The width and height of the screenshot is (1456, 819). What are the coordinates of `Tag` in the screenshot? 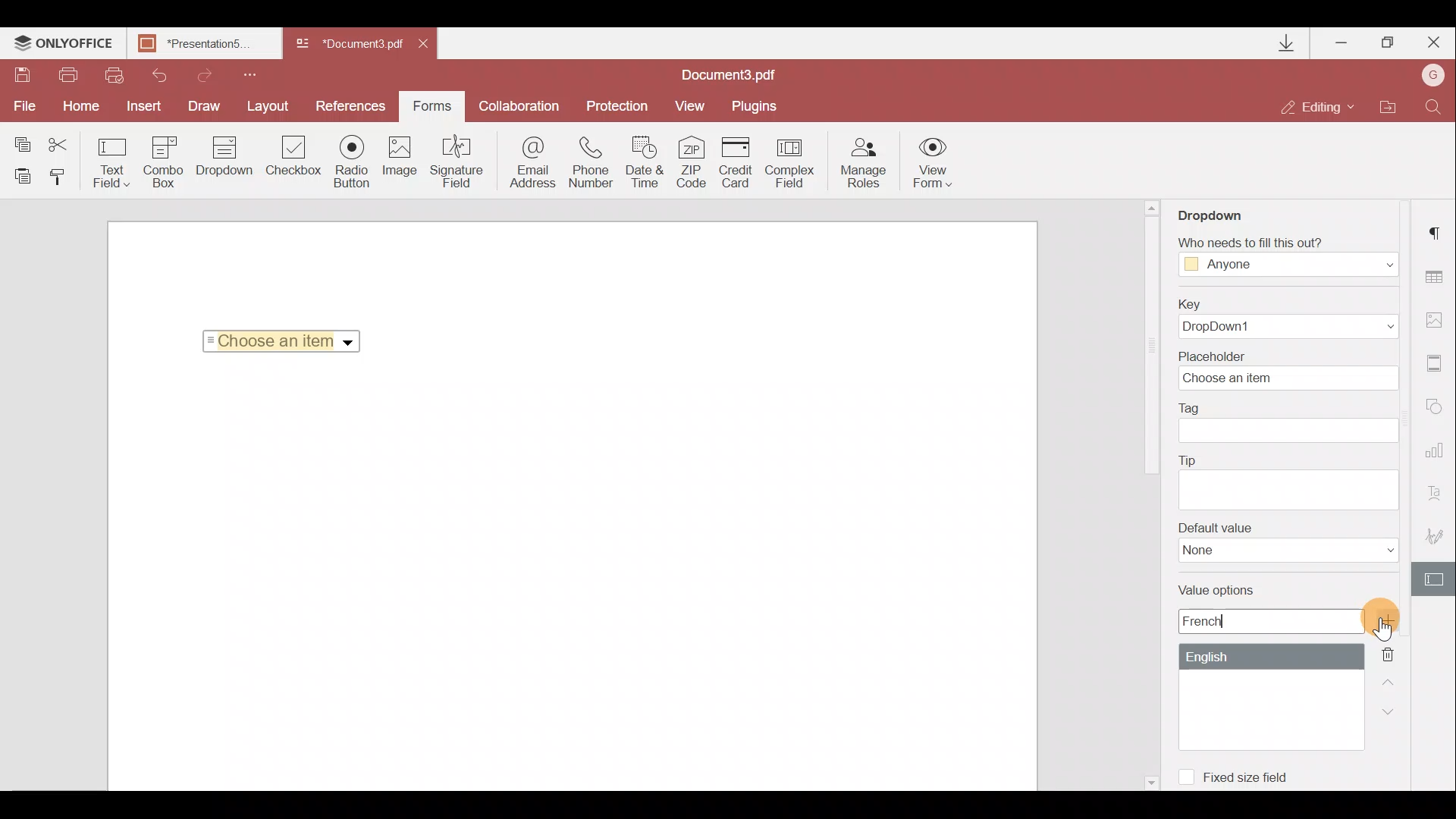 It's located at (1289, 422).